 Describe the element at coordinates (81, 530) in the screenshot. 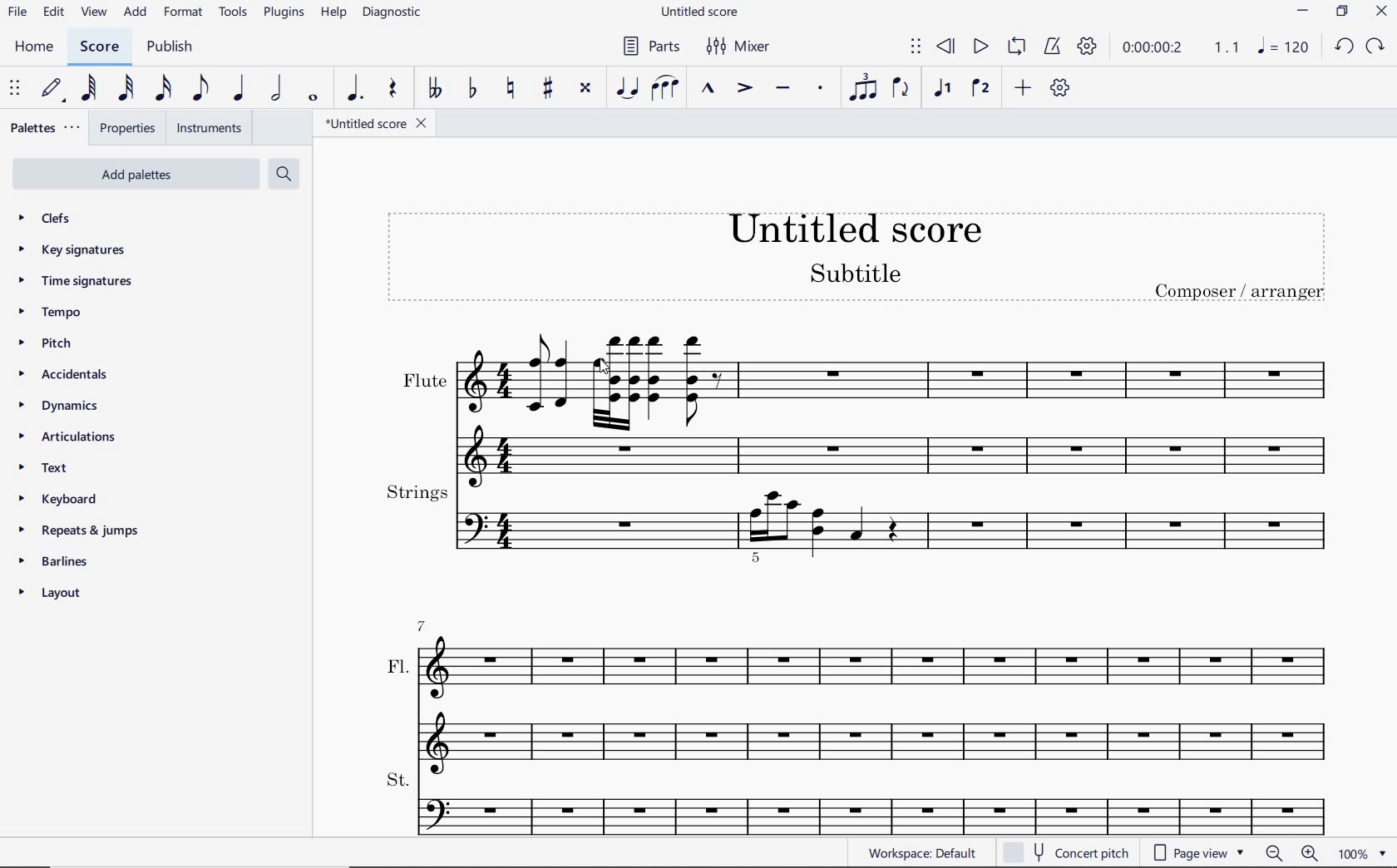

I see `repeats & jumps` at that location.